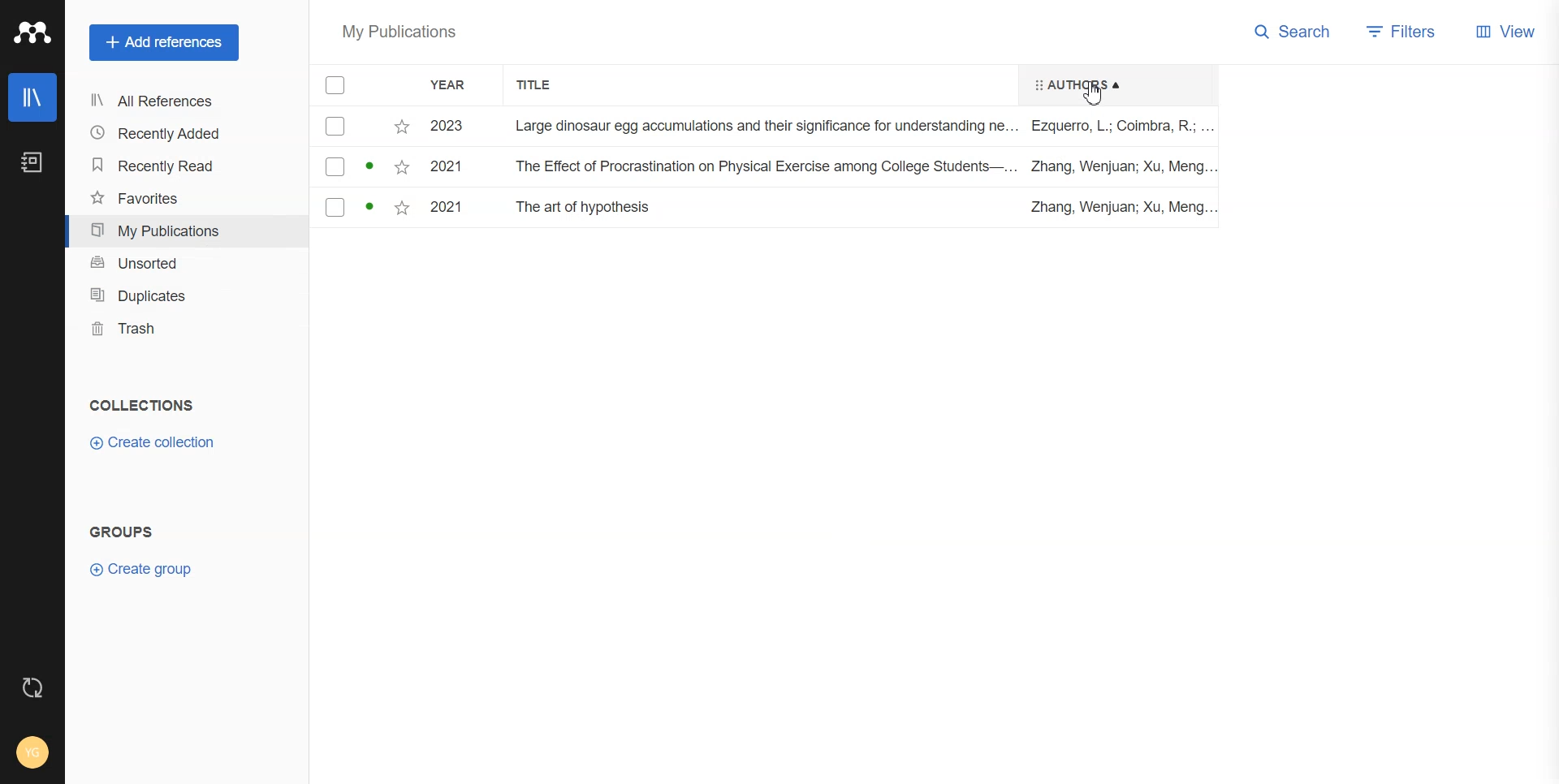 The width and height of the screenshot is (1559, 784). Describe the element at coordinates (182, 264) in the screenshot. I see `Unsorted` at that location.